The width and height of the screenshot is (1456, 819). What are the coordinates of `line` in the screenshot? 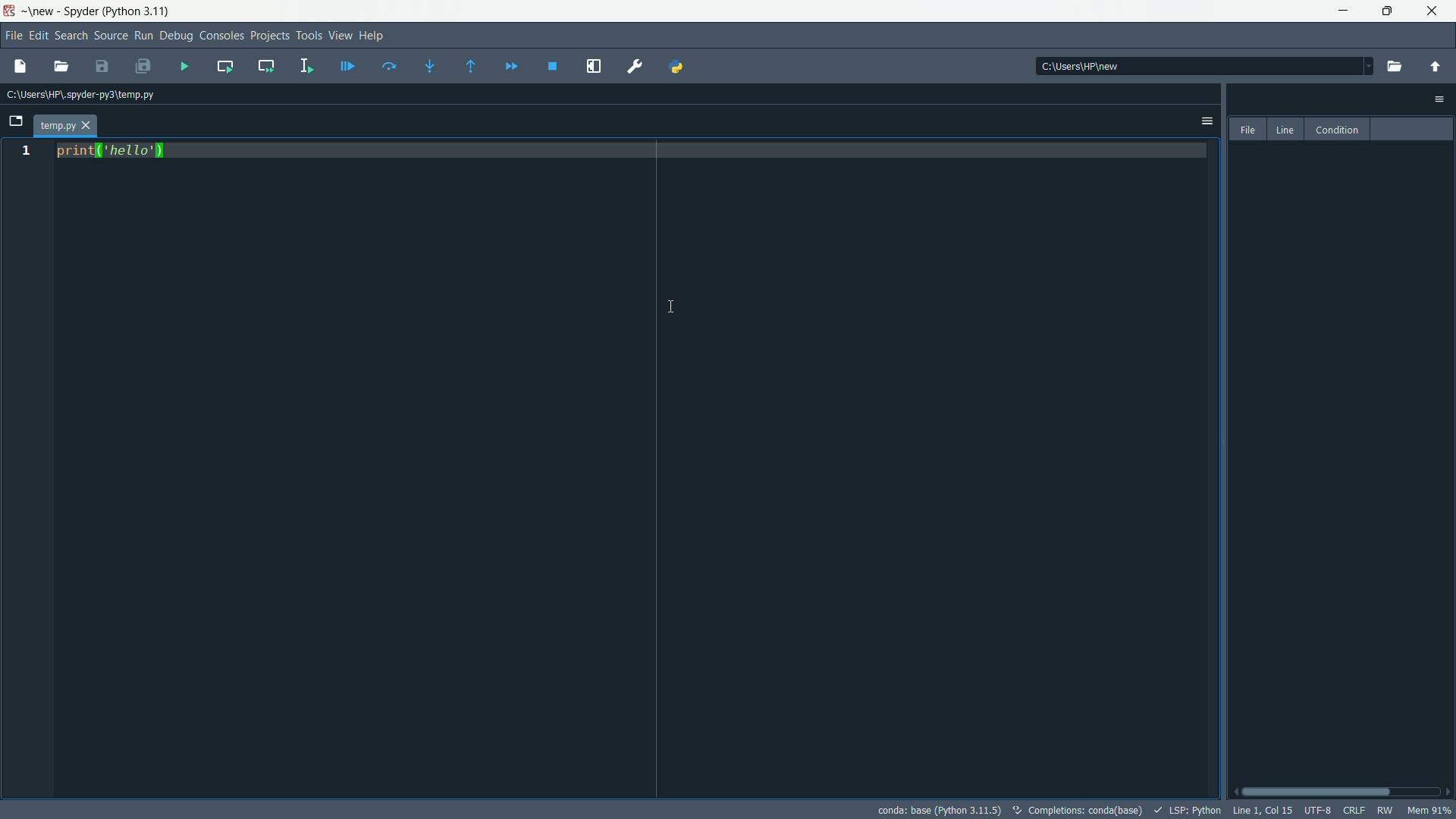 It's located at (1286, 130).